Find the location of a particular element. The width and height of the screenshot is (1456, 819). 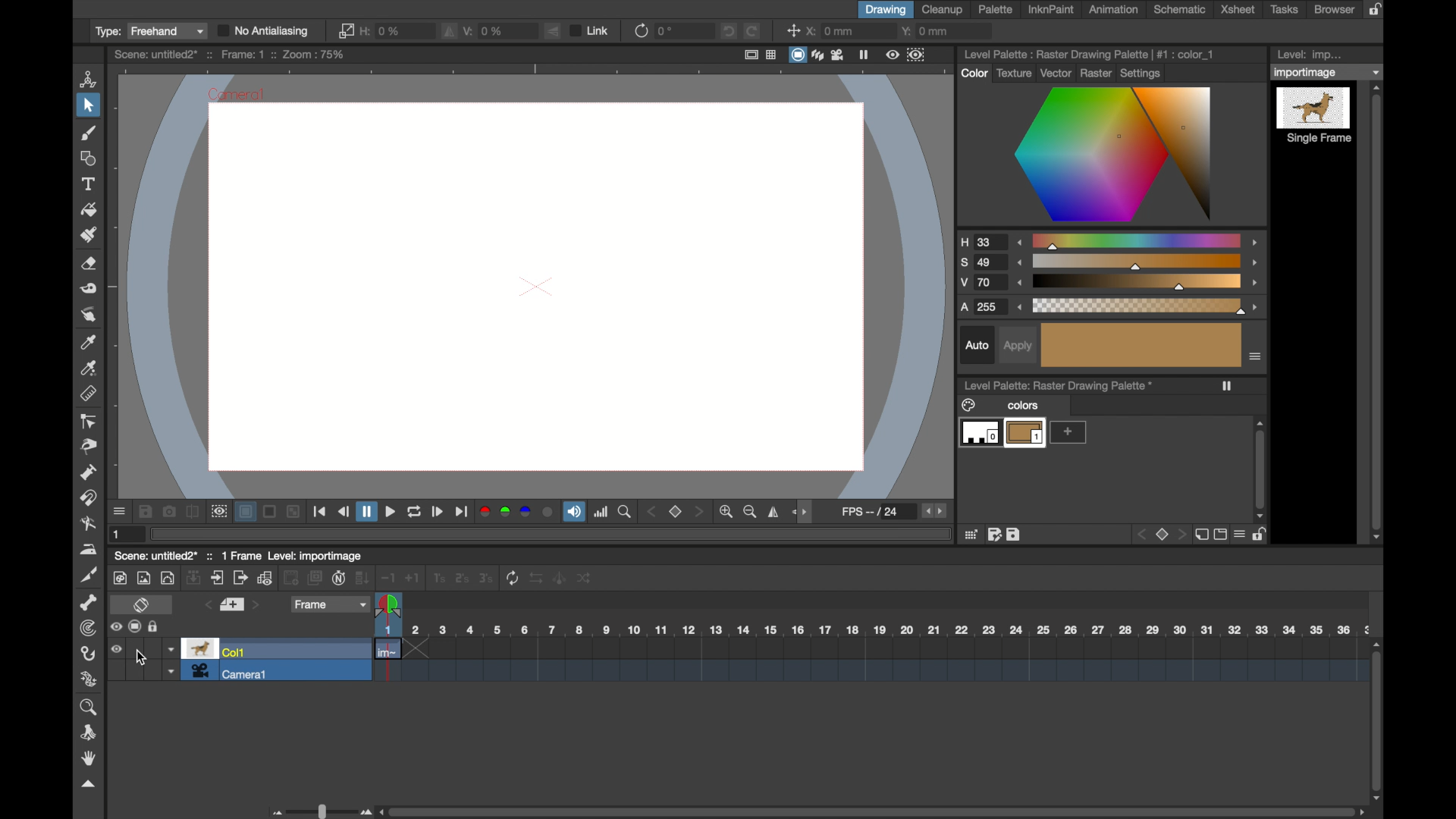

pinch tool is located at coordinates (90, 447).